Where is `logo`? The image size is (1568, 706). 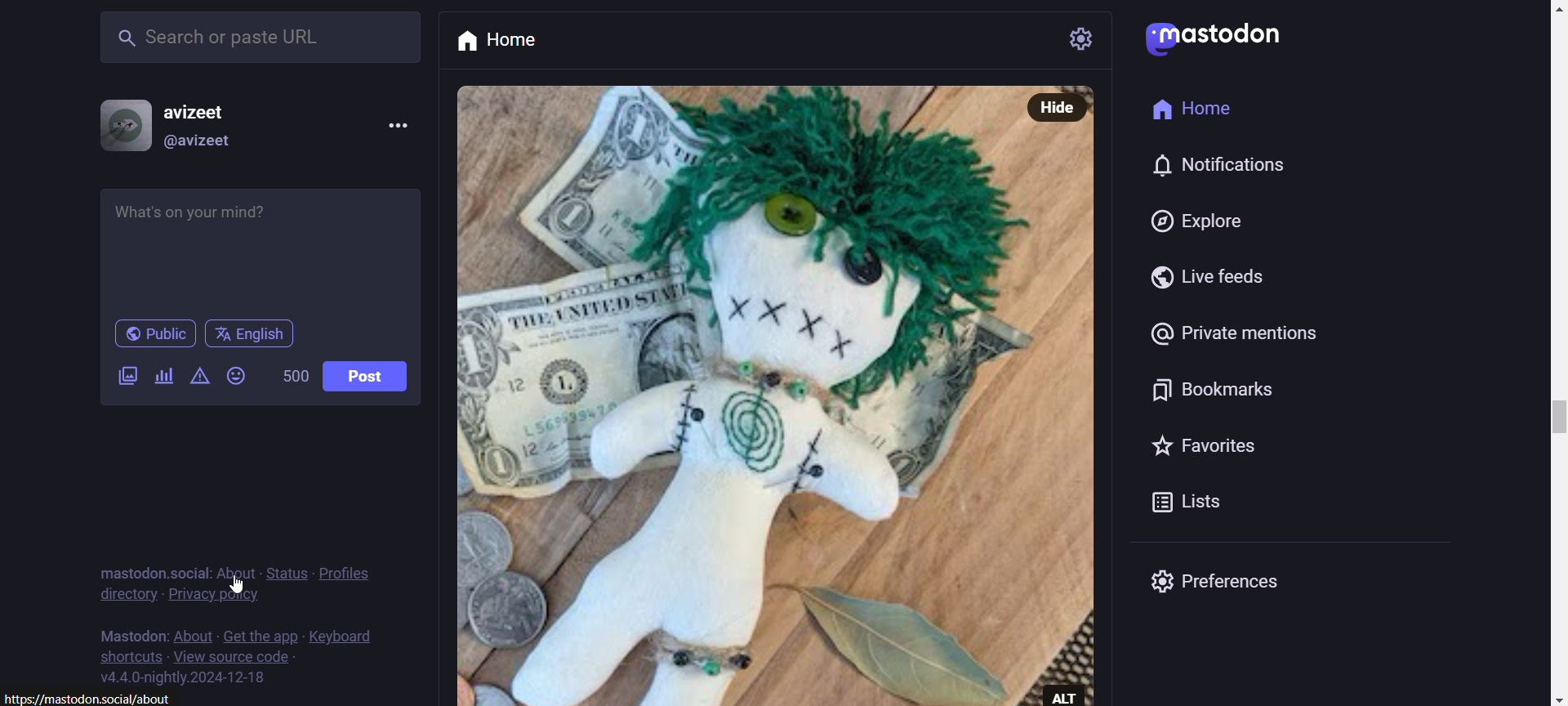
logo is located at coordinates (1144, 40).